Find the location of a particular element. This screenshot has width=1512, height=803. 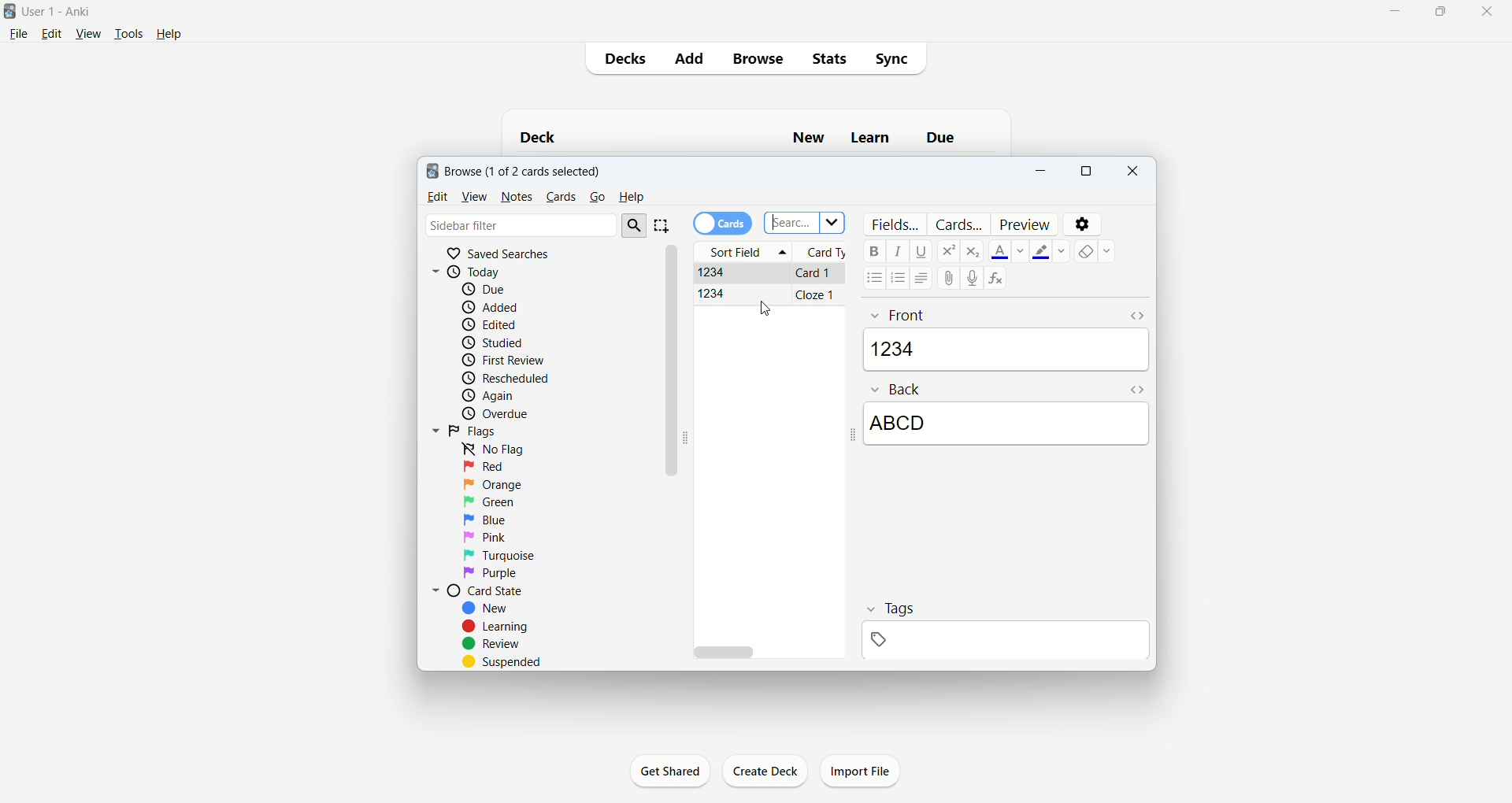

no flag is located at coordinates (492, 450).